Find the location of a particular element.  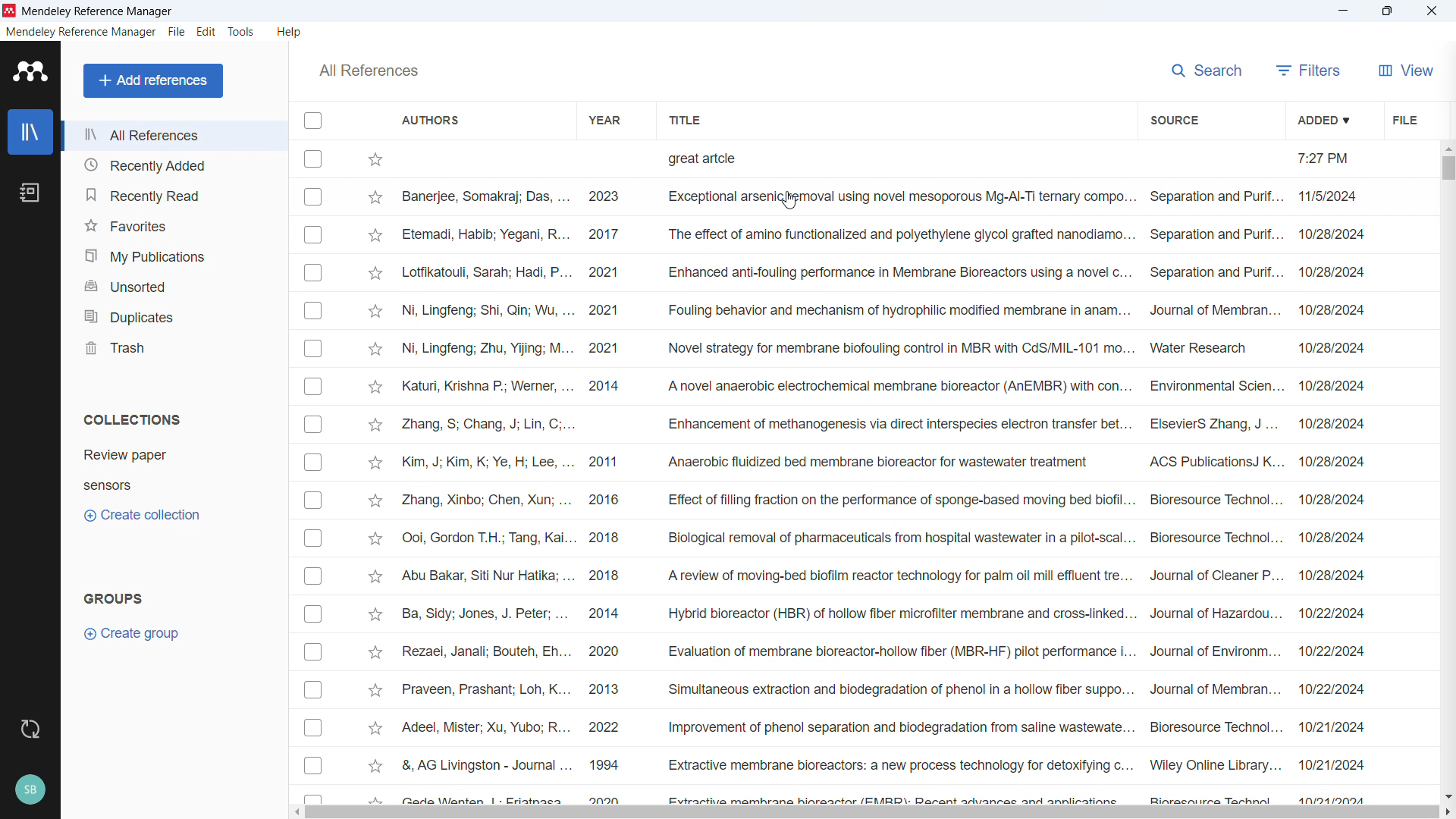

Vertical scroll bar is located at coordinates (1447, 168).